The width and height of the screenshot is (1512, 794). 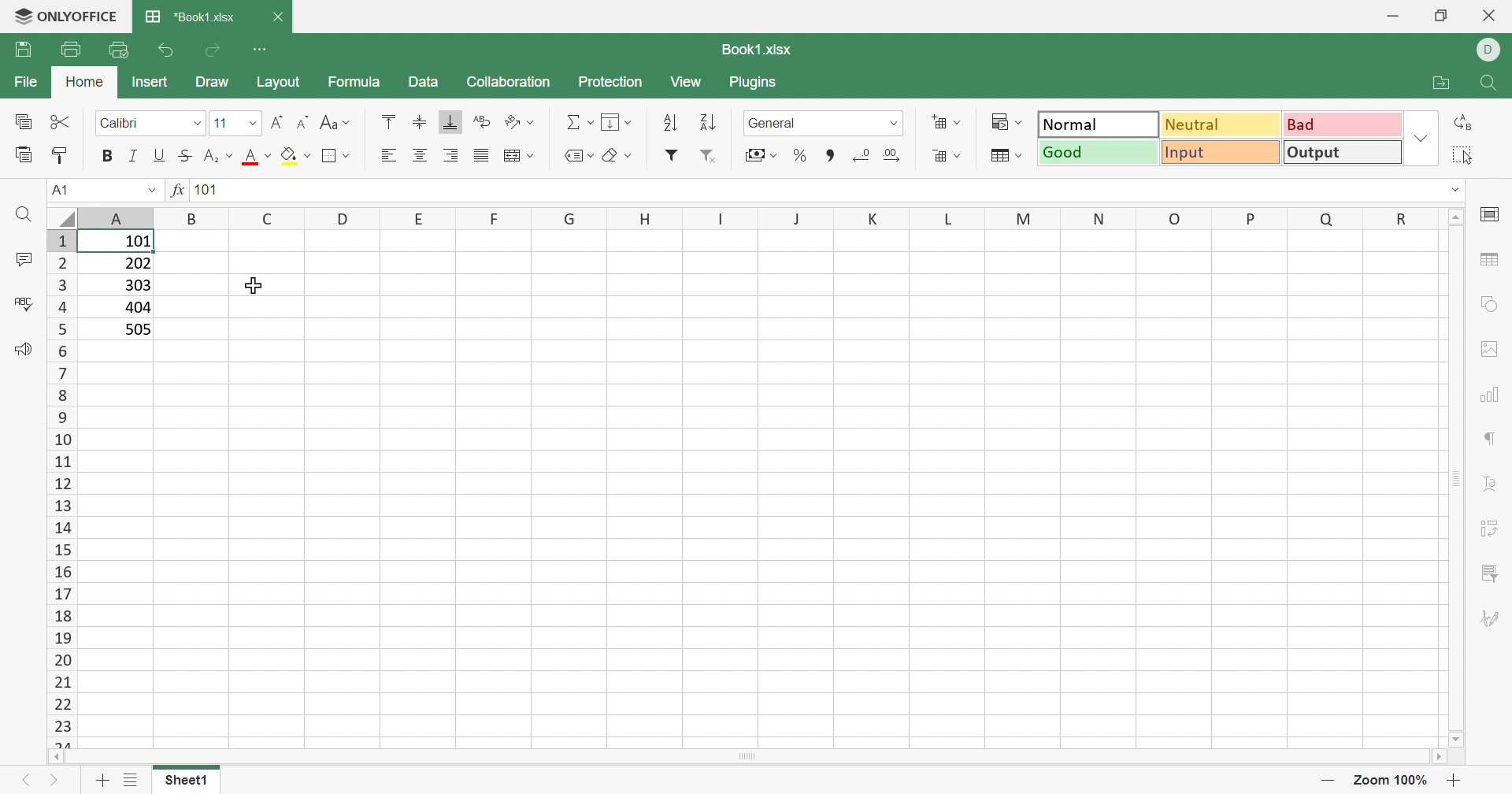 I want to click on Save, so click(x=23, y=51).